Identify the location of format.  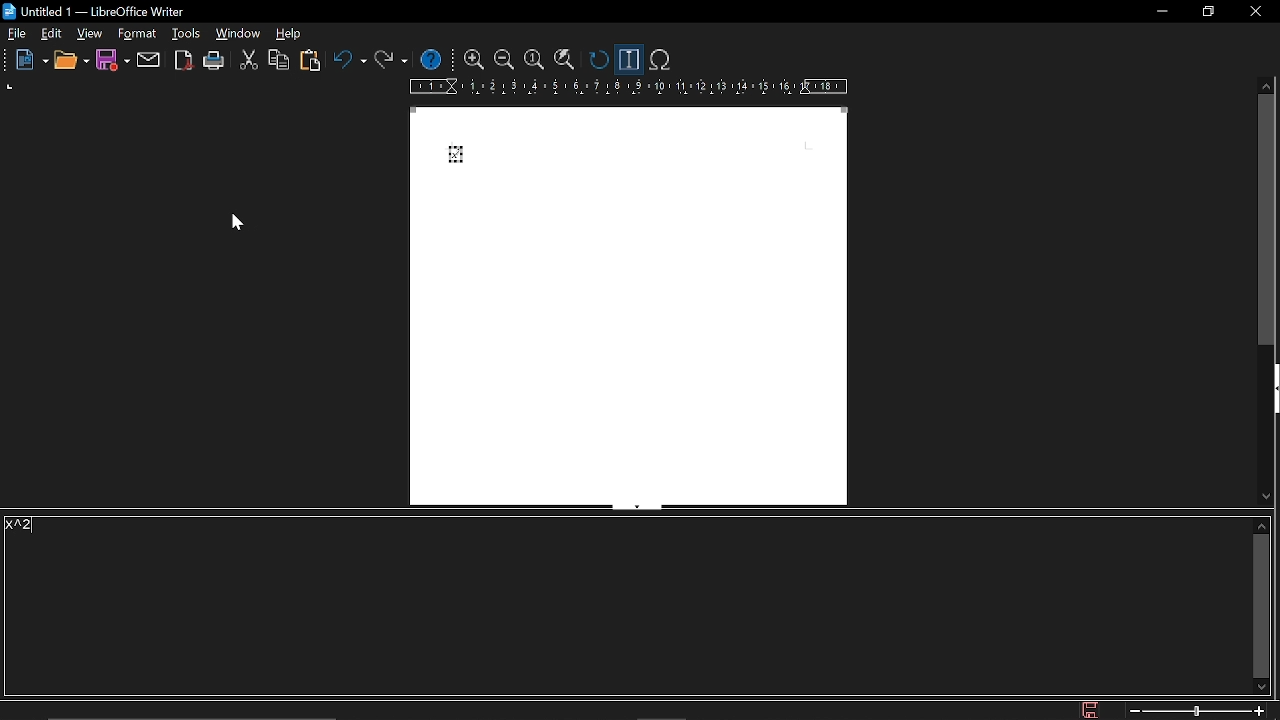
(184, 34).